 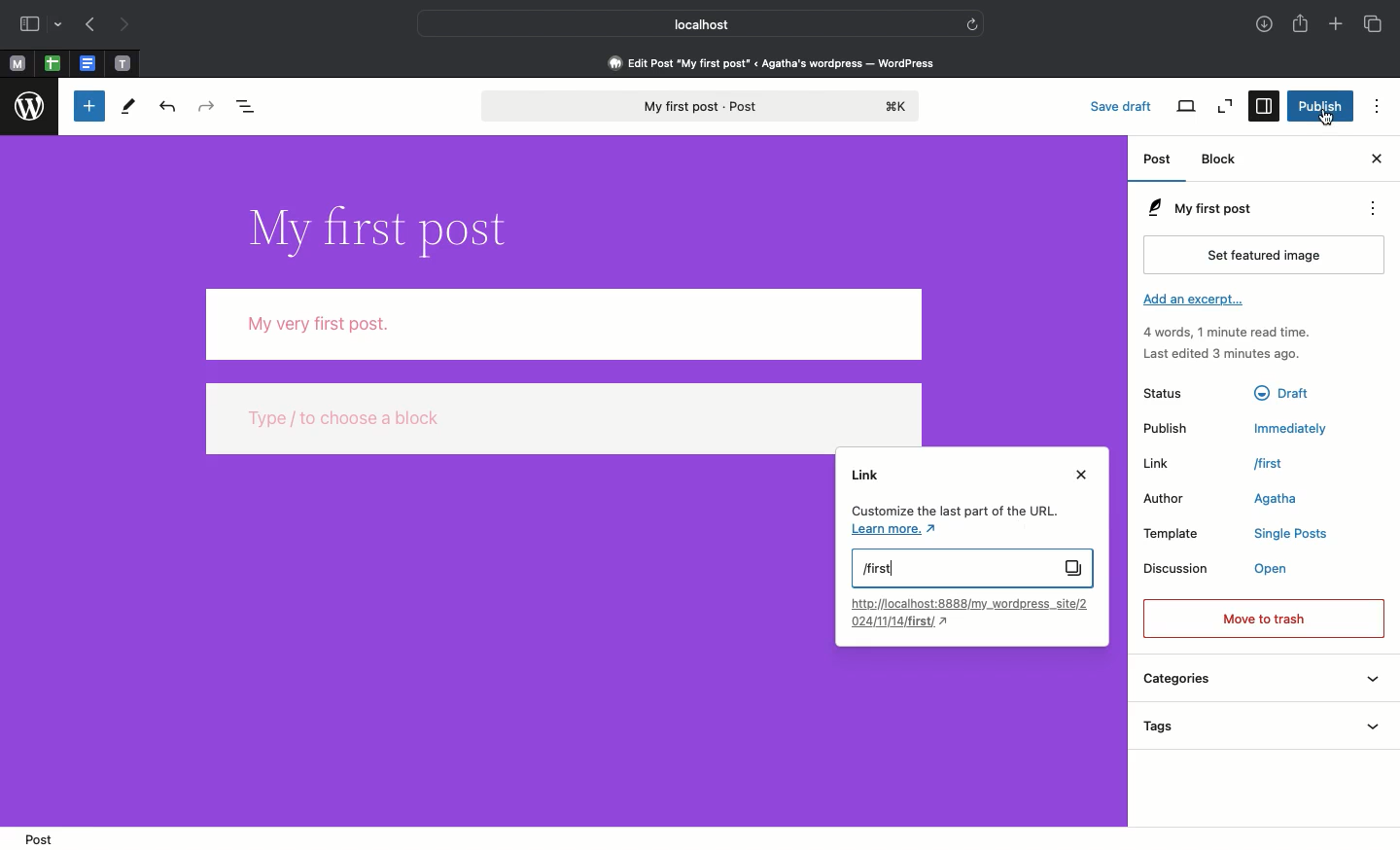 What do you see at coordinates (1264, 620) in the screenshot?
I see `Move to trash` at bounding box center [1264, 620].